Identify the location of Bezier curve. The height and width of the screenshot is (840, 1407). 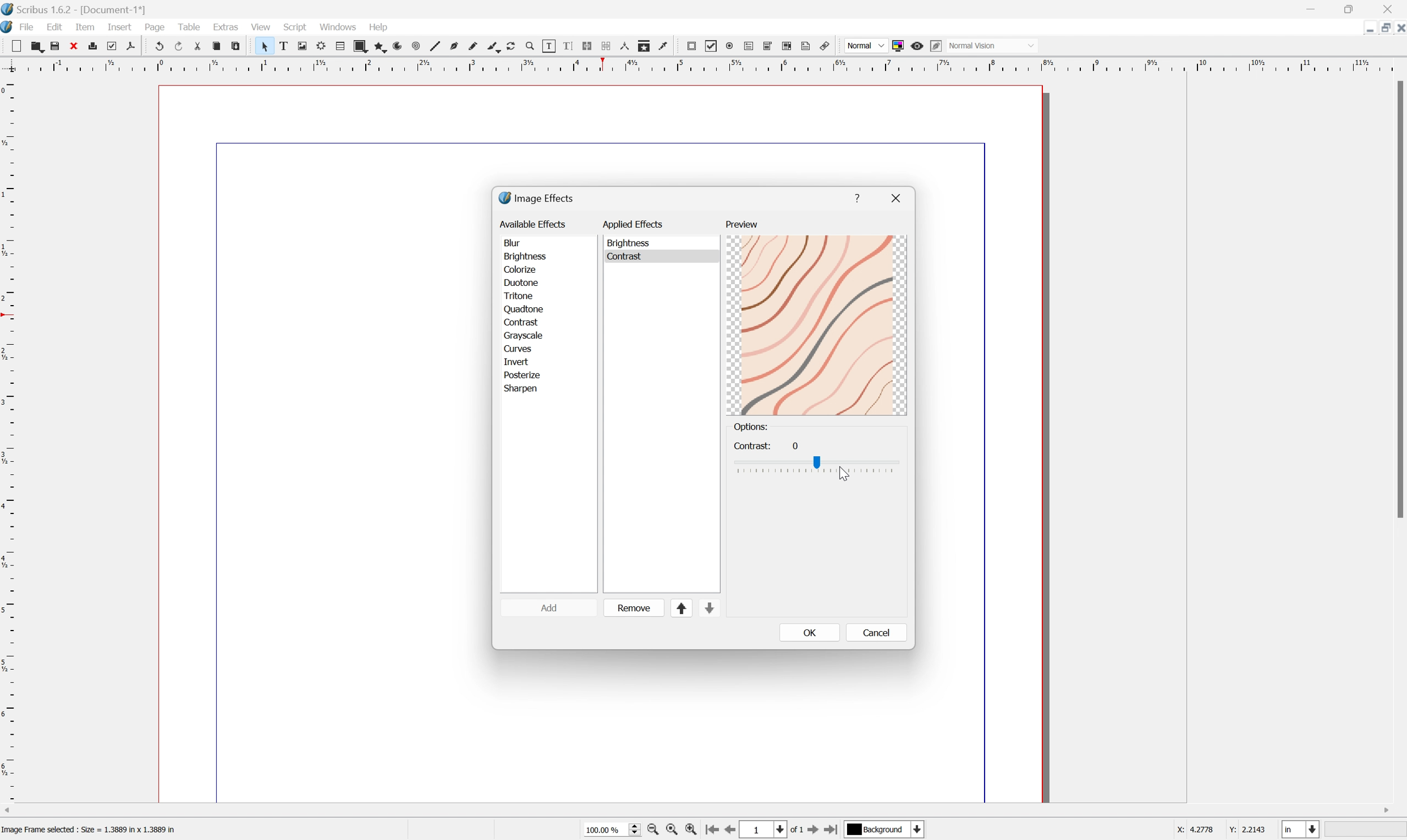
(457, 44).